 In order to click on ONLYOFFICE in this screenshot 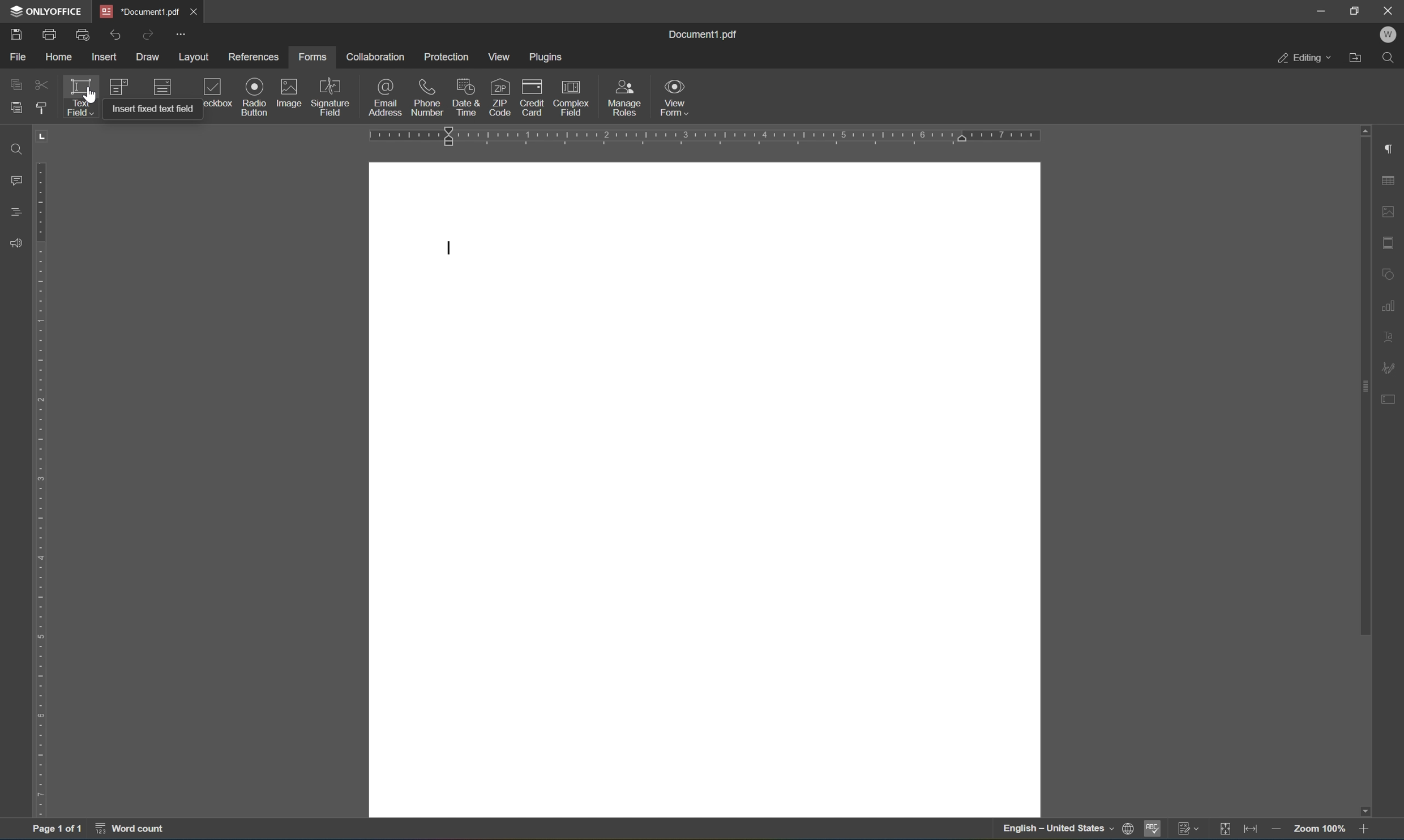, I will do `click(48, 11)`.